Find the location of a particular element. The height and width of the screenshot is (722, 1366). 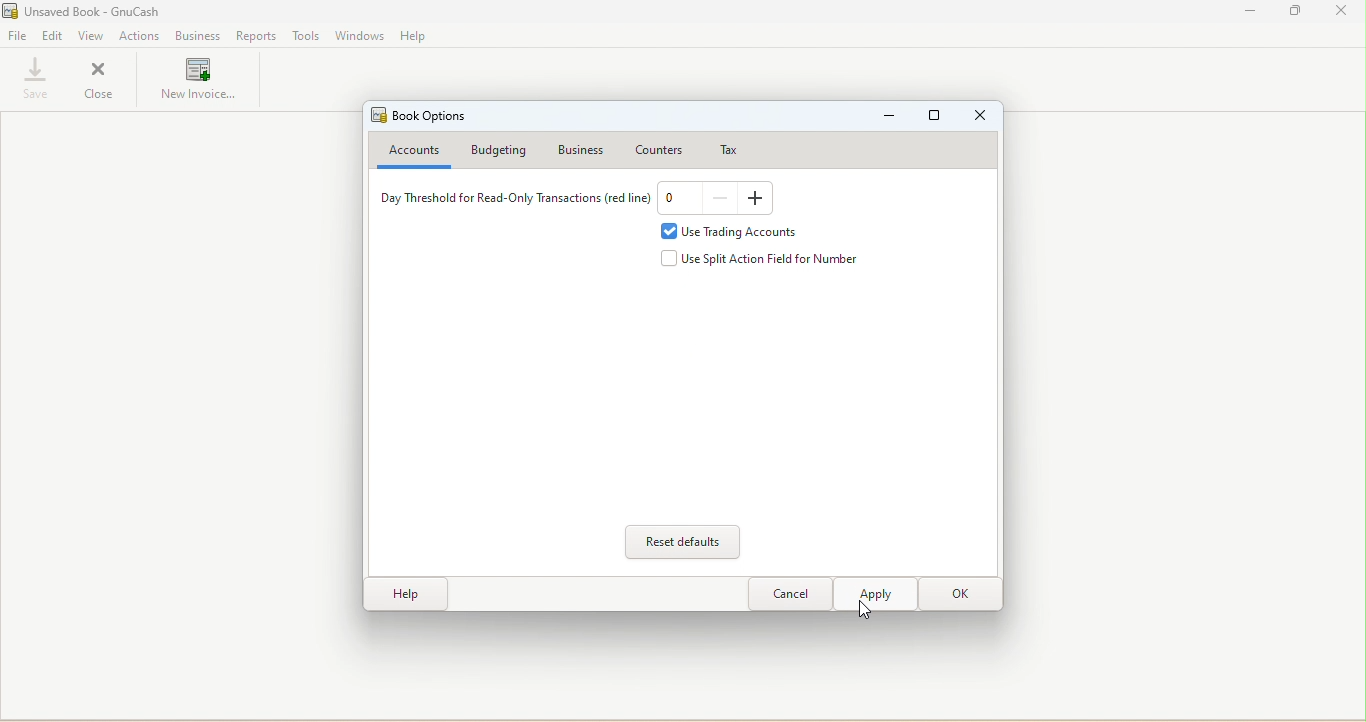

Tax is located at coordinates (722, 149).